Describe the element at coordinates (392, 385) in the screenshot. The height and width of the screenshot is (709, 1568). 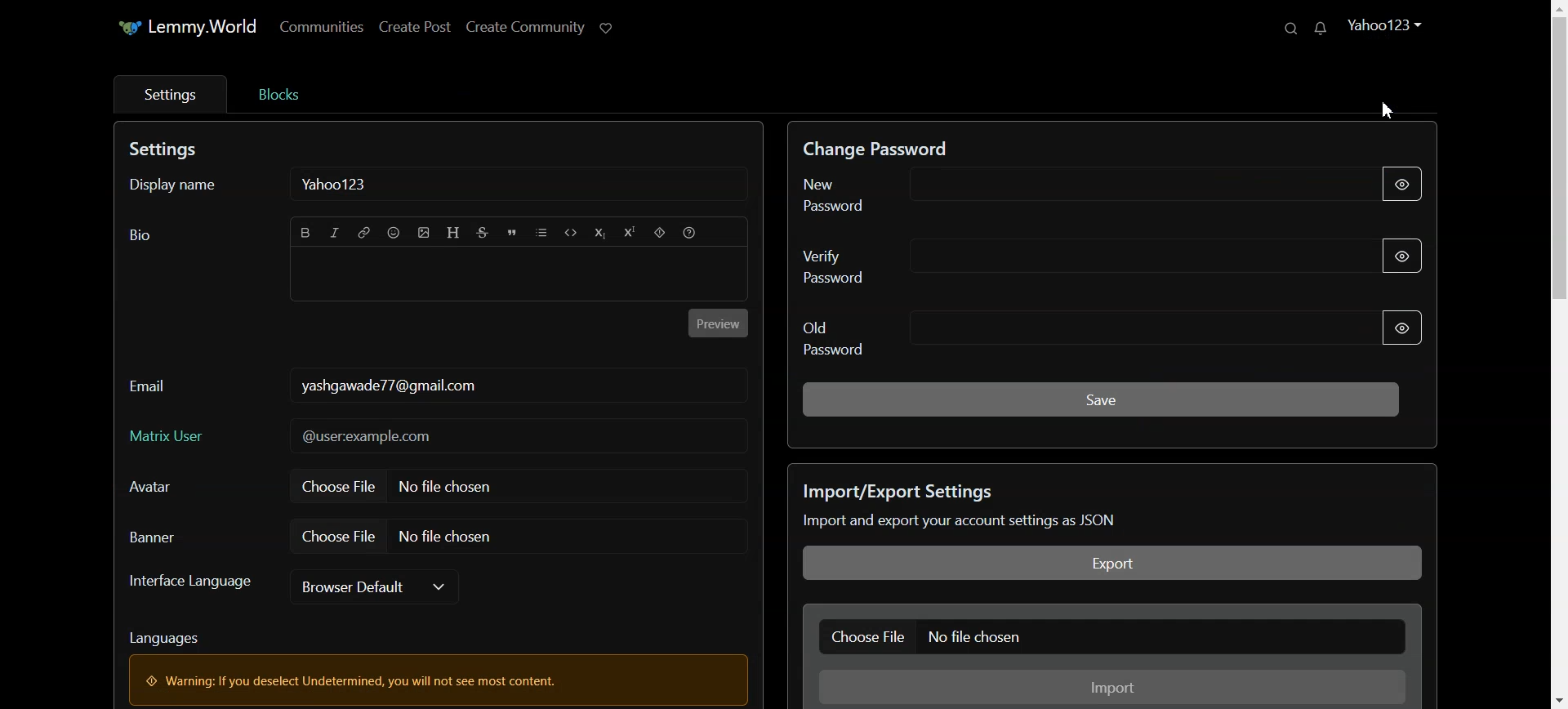
I see `Text` at that location.